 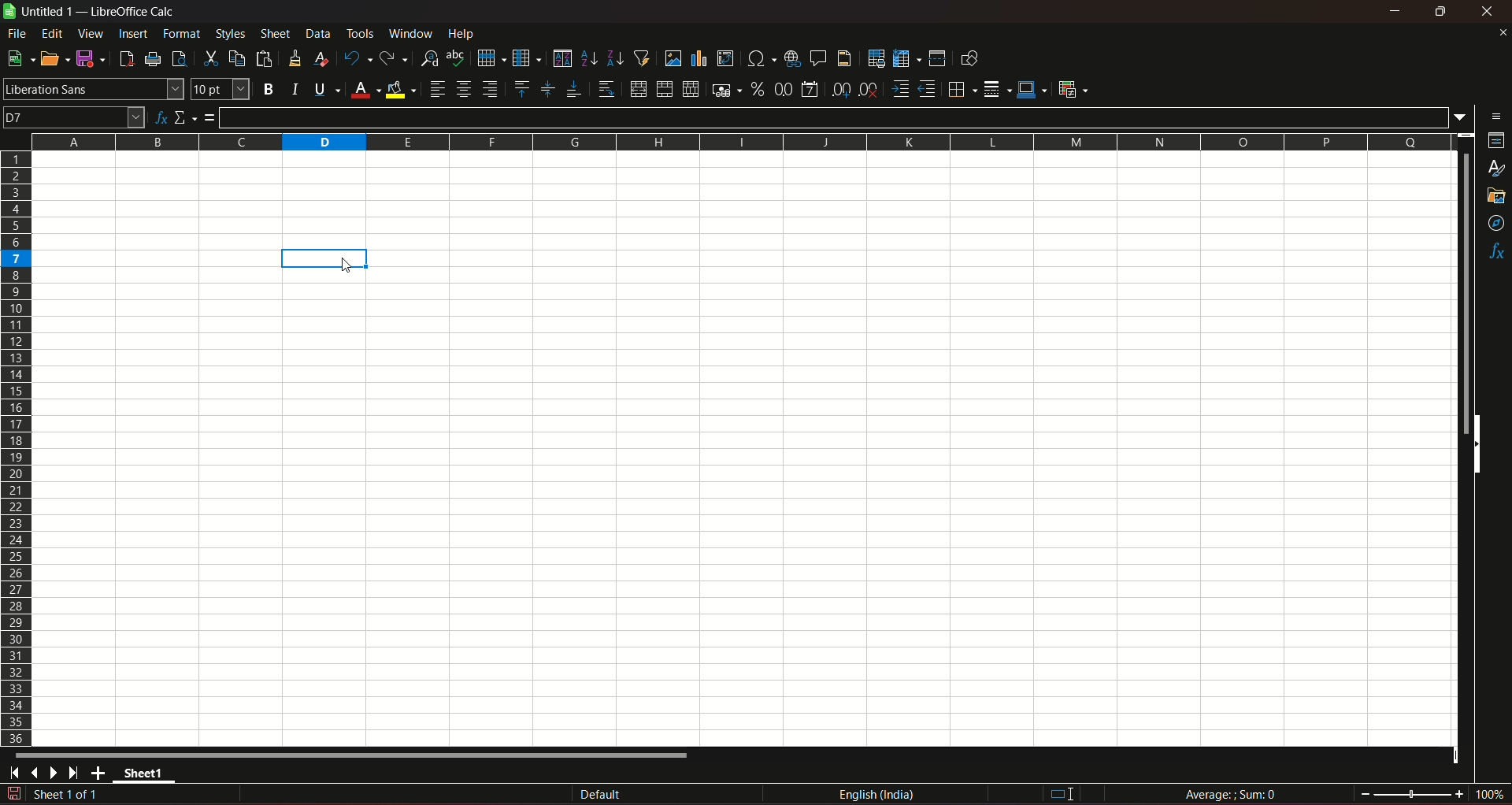 What do you see at coordinates (209, 58) in the screenshot?
I see `cut` at bounding box center [209, 58].